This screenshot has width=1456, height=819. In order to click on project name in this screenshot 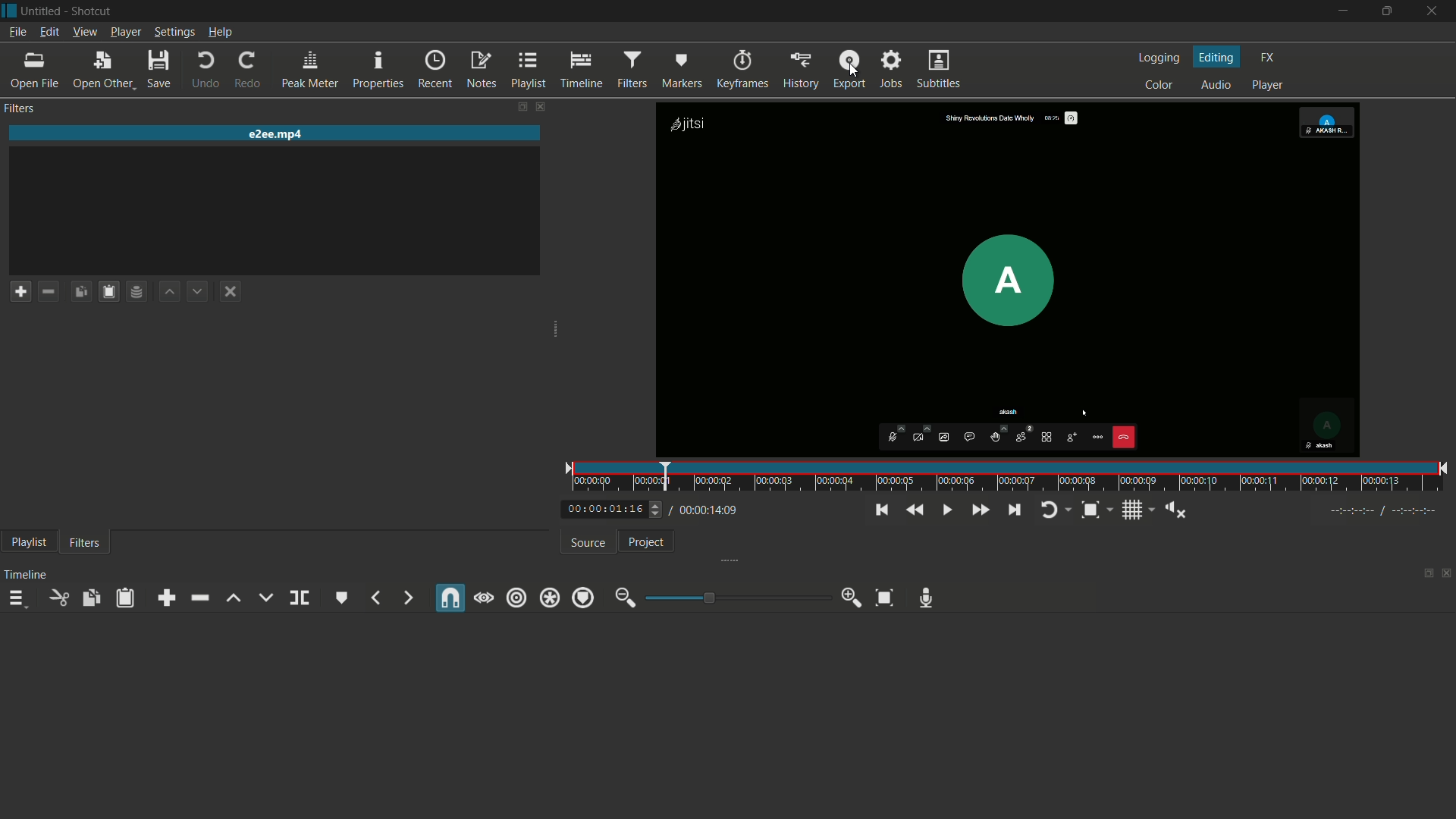, I will do `click(42, 11)`.